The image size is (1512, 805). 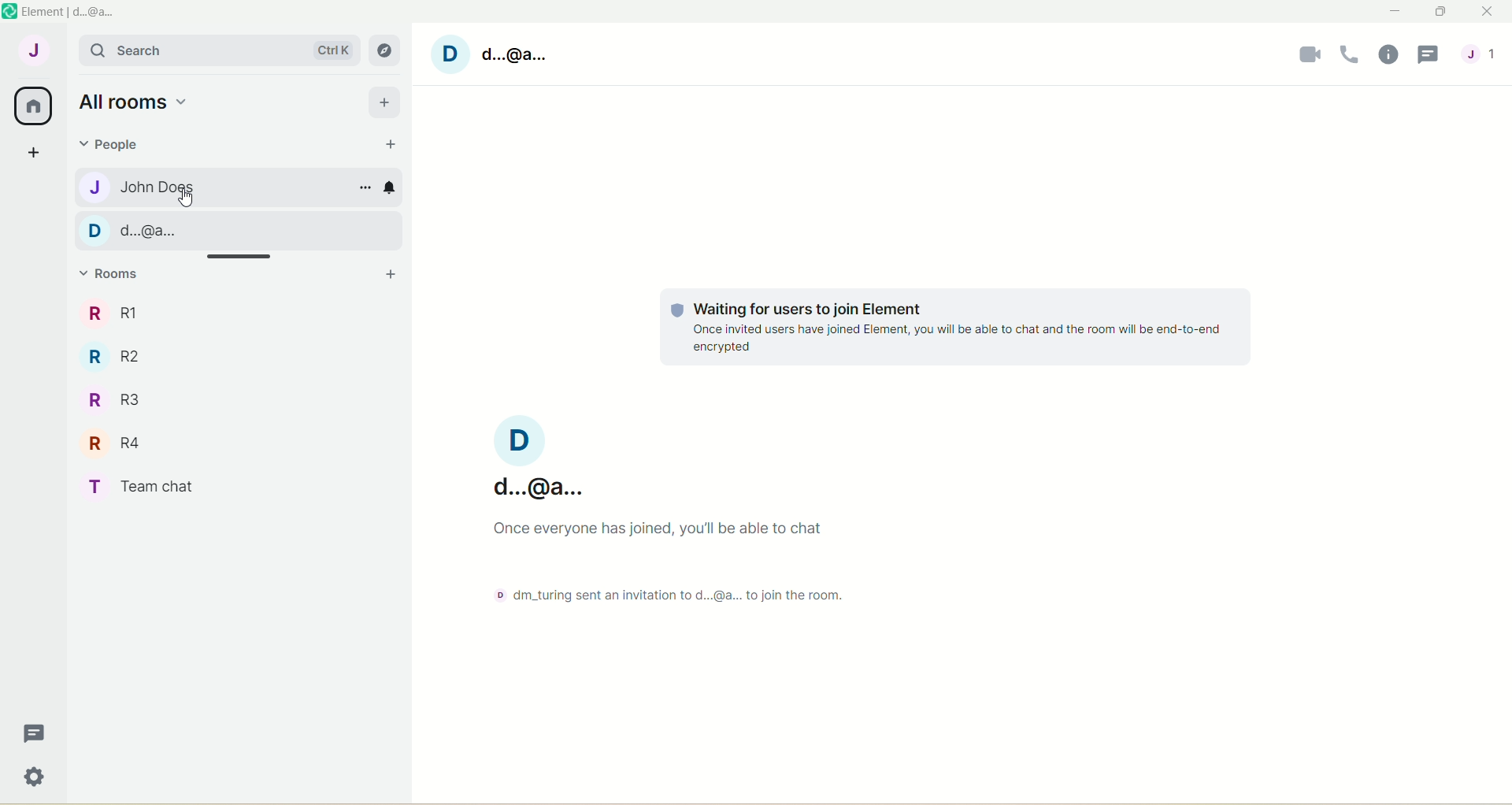 I want to click on dm_turing sent an invitation  to d..@a... to join the room., so click(x=662, y=592).